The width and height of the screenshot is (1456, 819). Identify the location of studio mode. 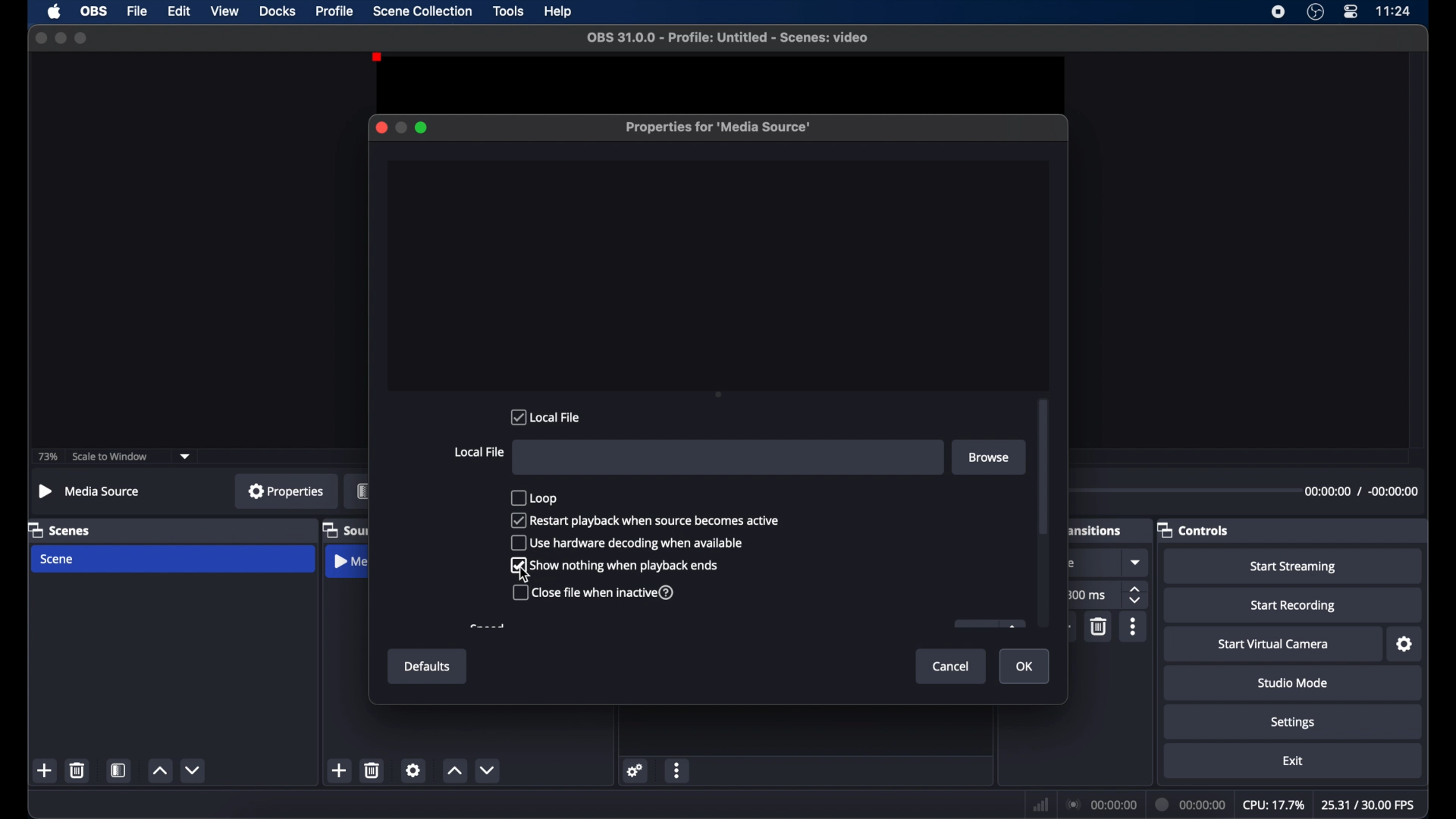
(1293, 683).